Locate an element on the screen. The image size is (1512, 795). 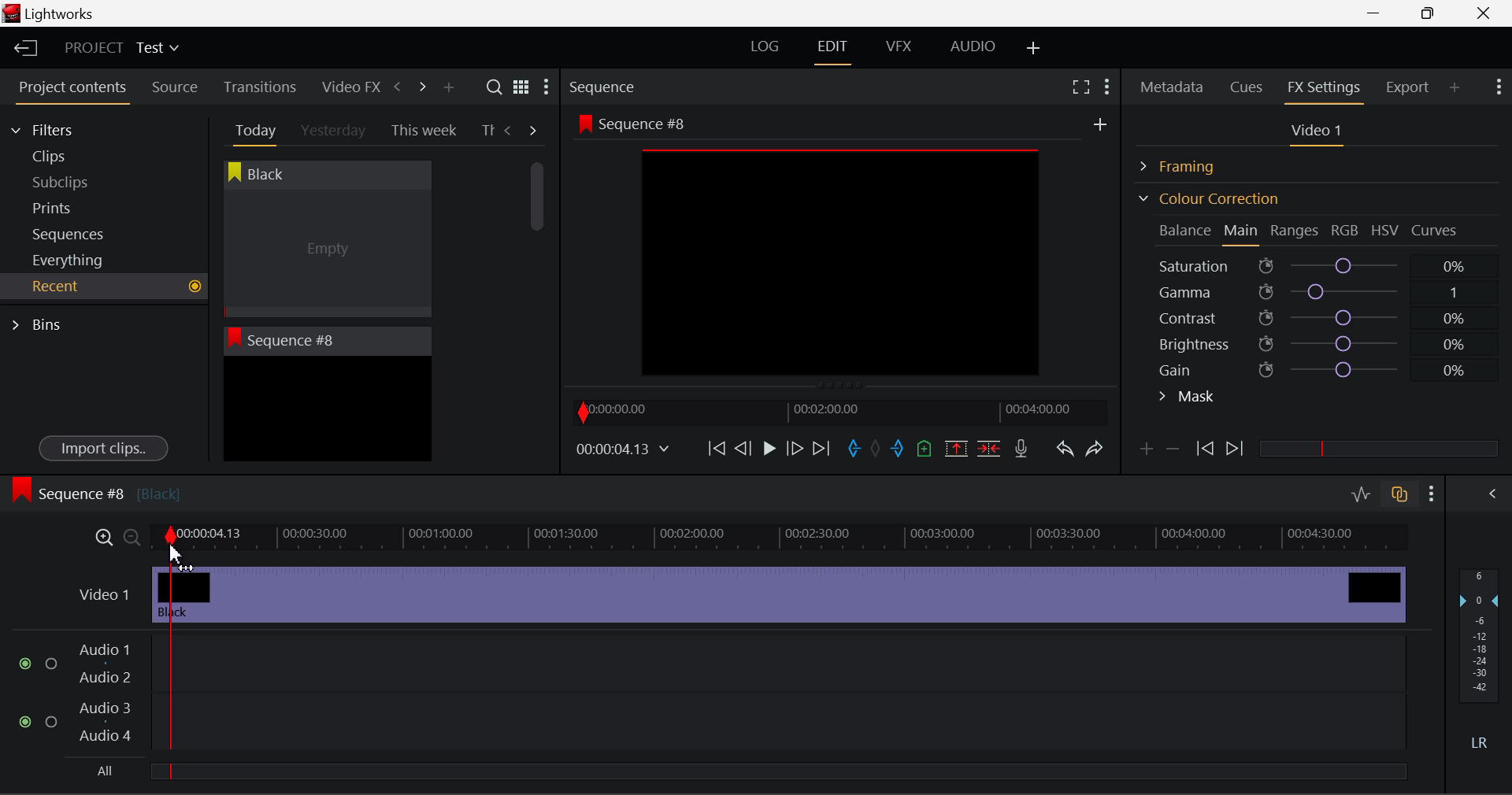
Next keyframe is located at coordinates (1236, 449).